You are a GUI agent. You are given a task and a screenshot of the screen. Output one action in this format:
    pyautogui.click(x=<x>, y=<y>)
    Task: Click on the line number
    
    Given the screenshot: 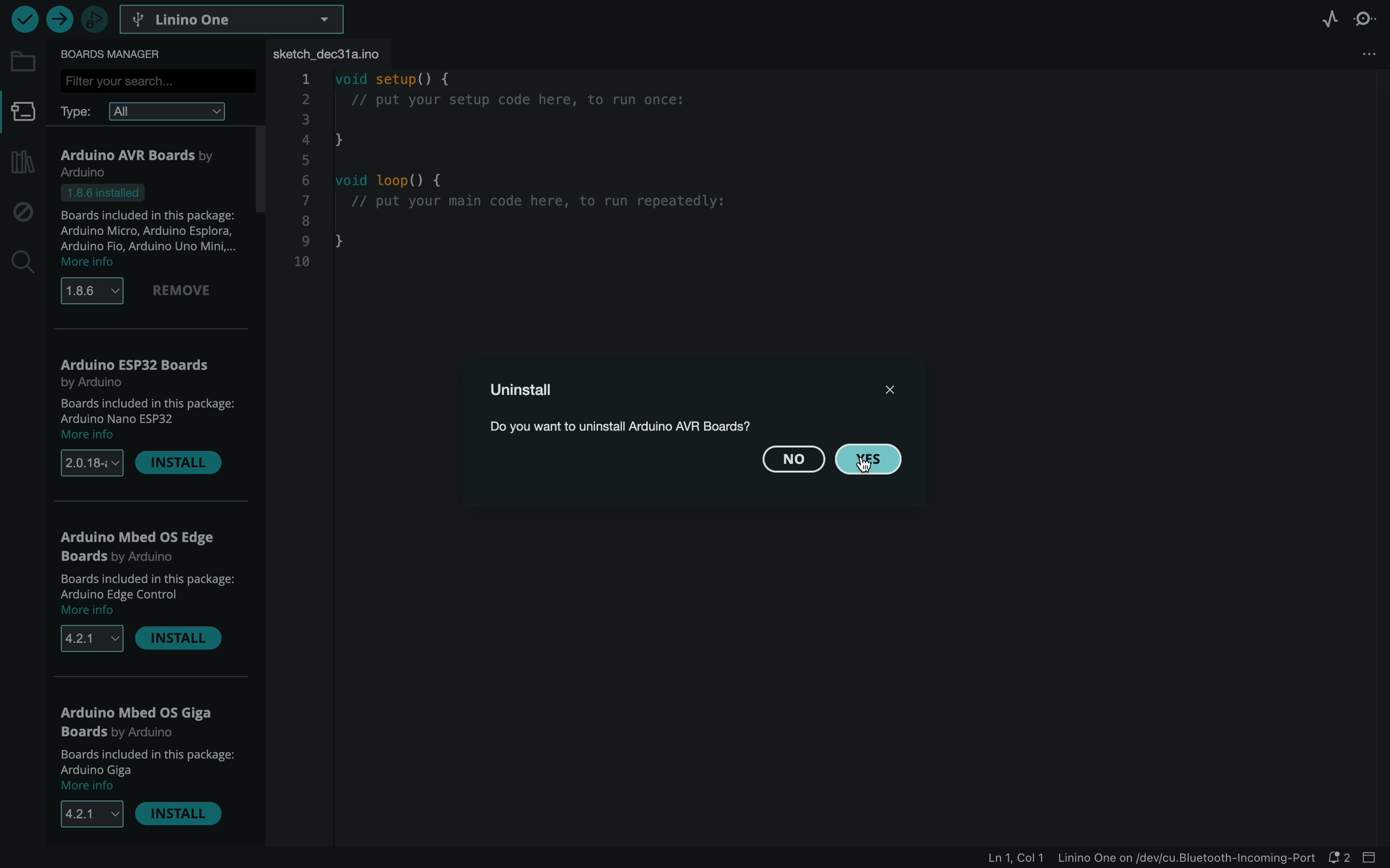 What is the action you would take?
    pyautogui.click(x=306, y=171)
    